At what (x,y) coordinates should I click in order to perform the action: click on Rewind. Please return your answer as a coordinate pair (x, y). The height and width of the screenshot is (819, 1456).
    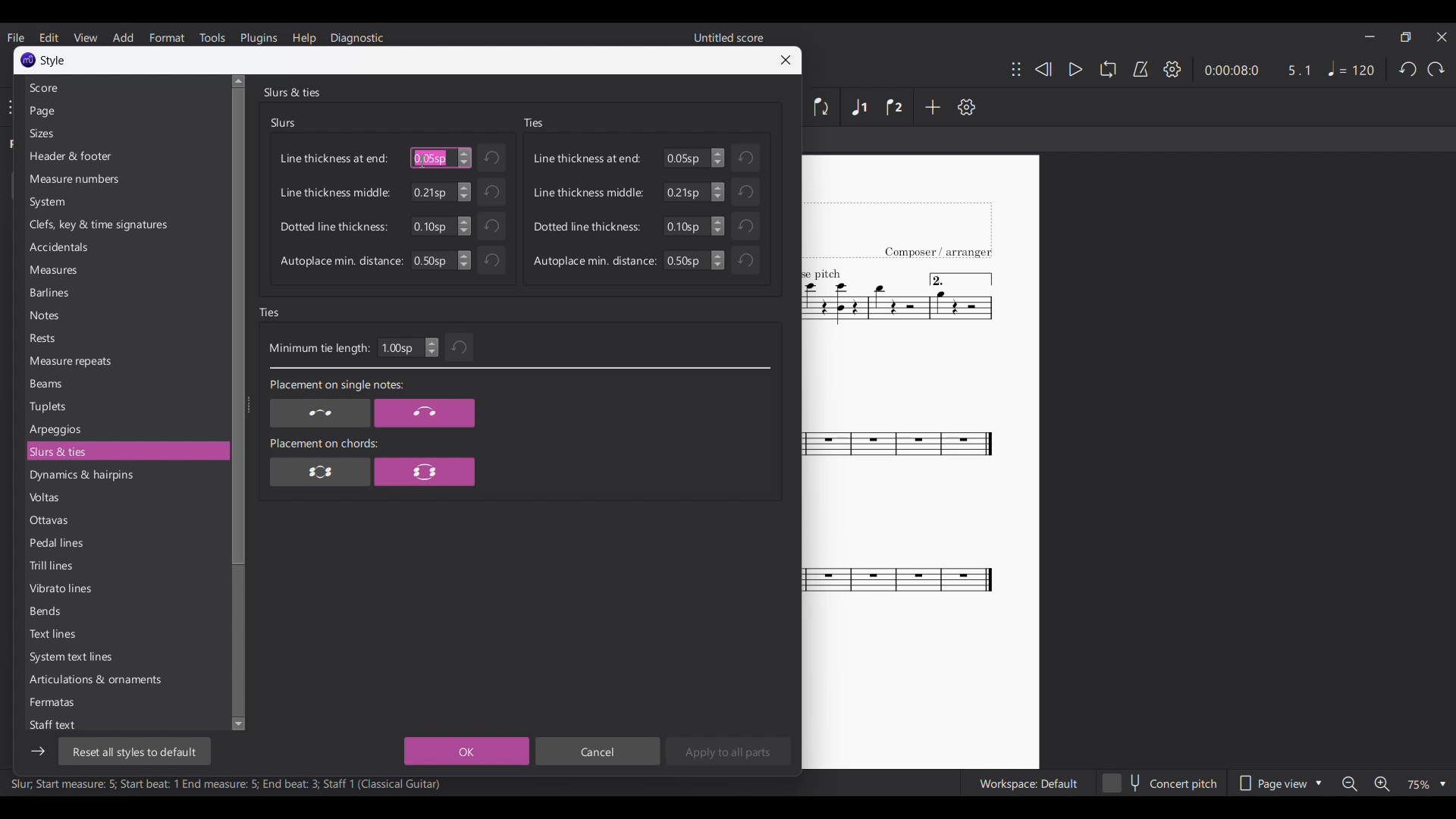
    Looking at the image, I should click on (1043, 70).